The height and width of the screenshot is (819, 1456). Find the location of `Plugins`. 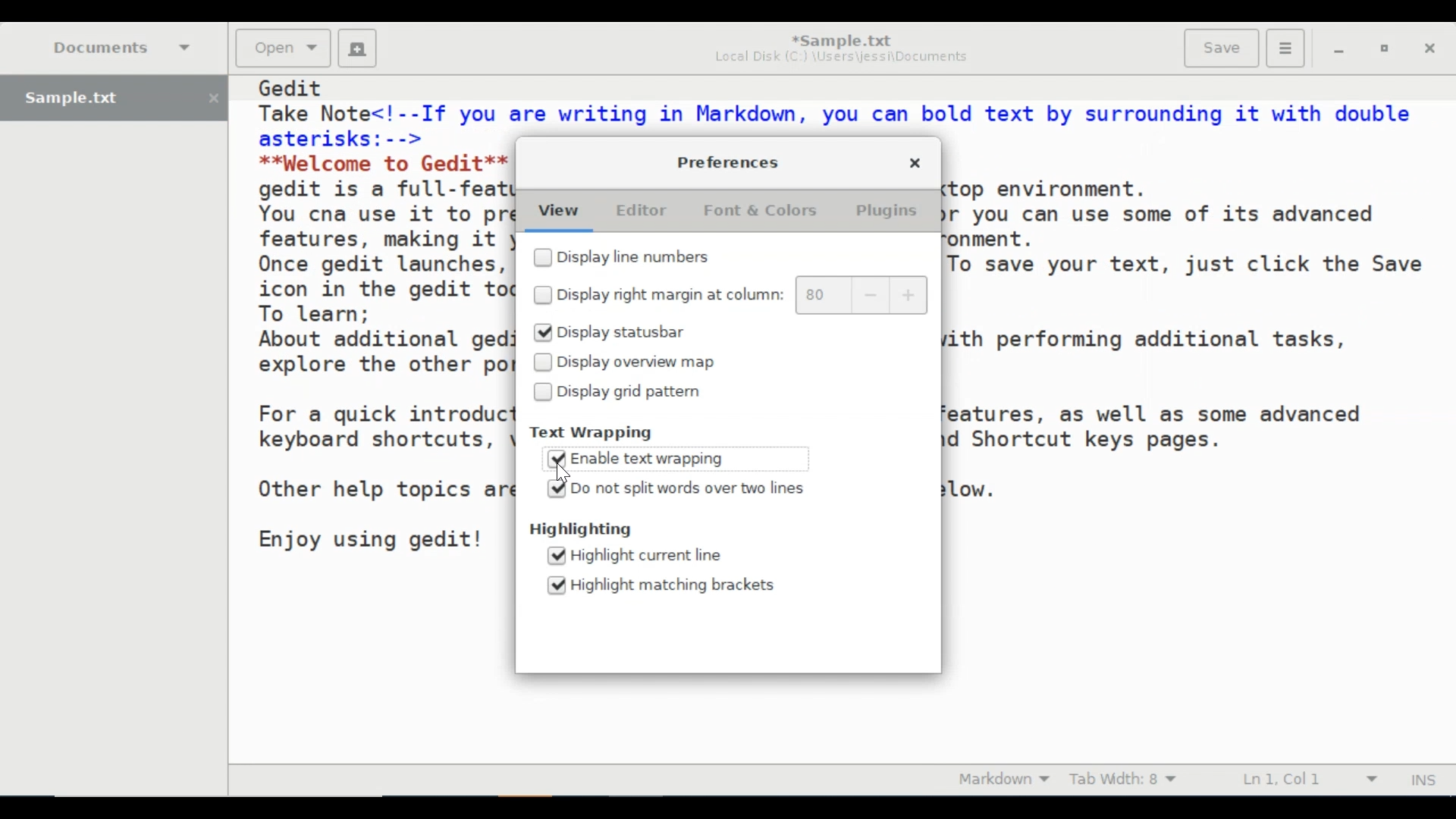

Plugins is located at coordinates (885, 211).